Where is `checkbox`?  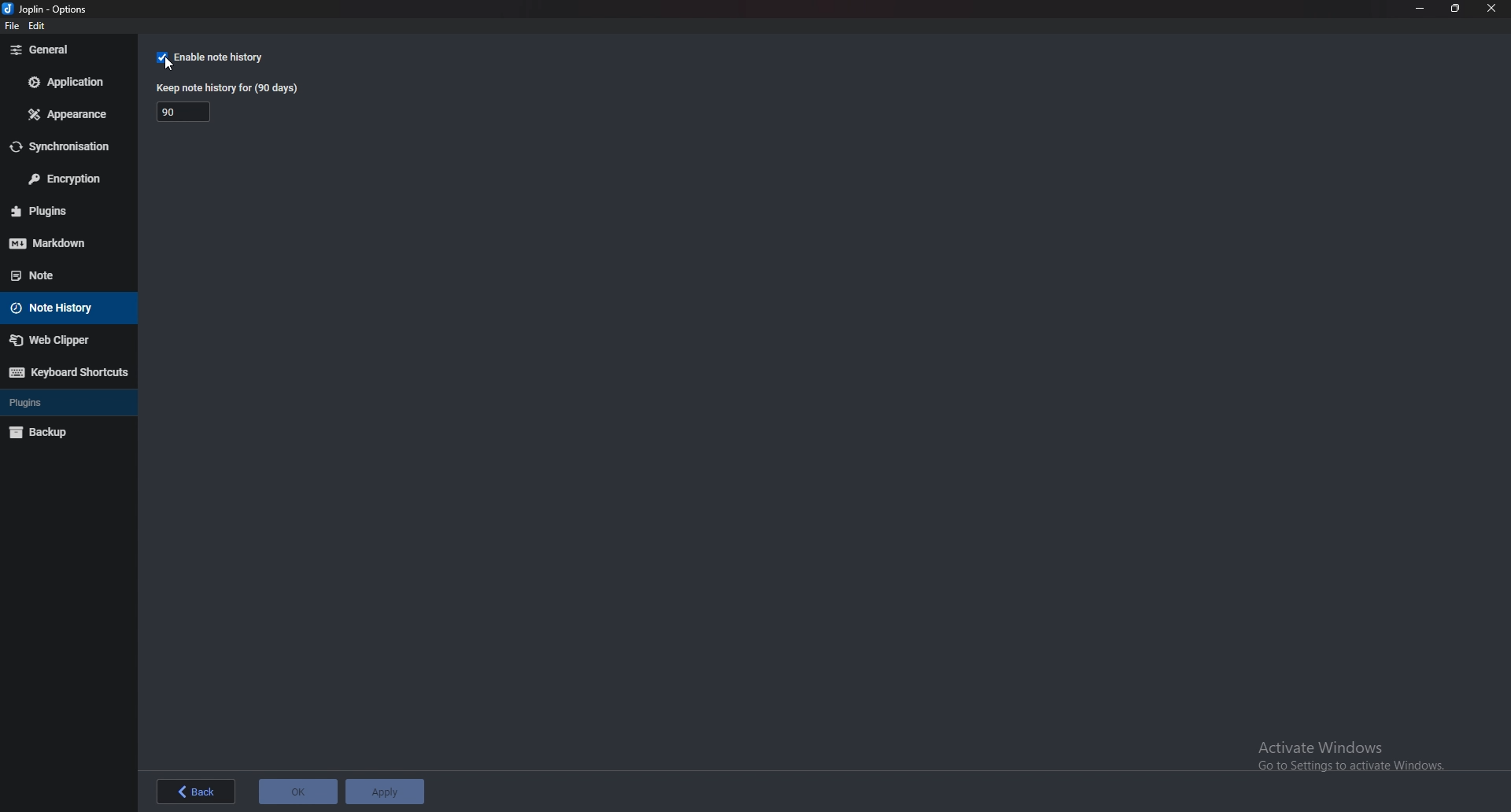 checkbox is located at coordinates (162, 57).